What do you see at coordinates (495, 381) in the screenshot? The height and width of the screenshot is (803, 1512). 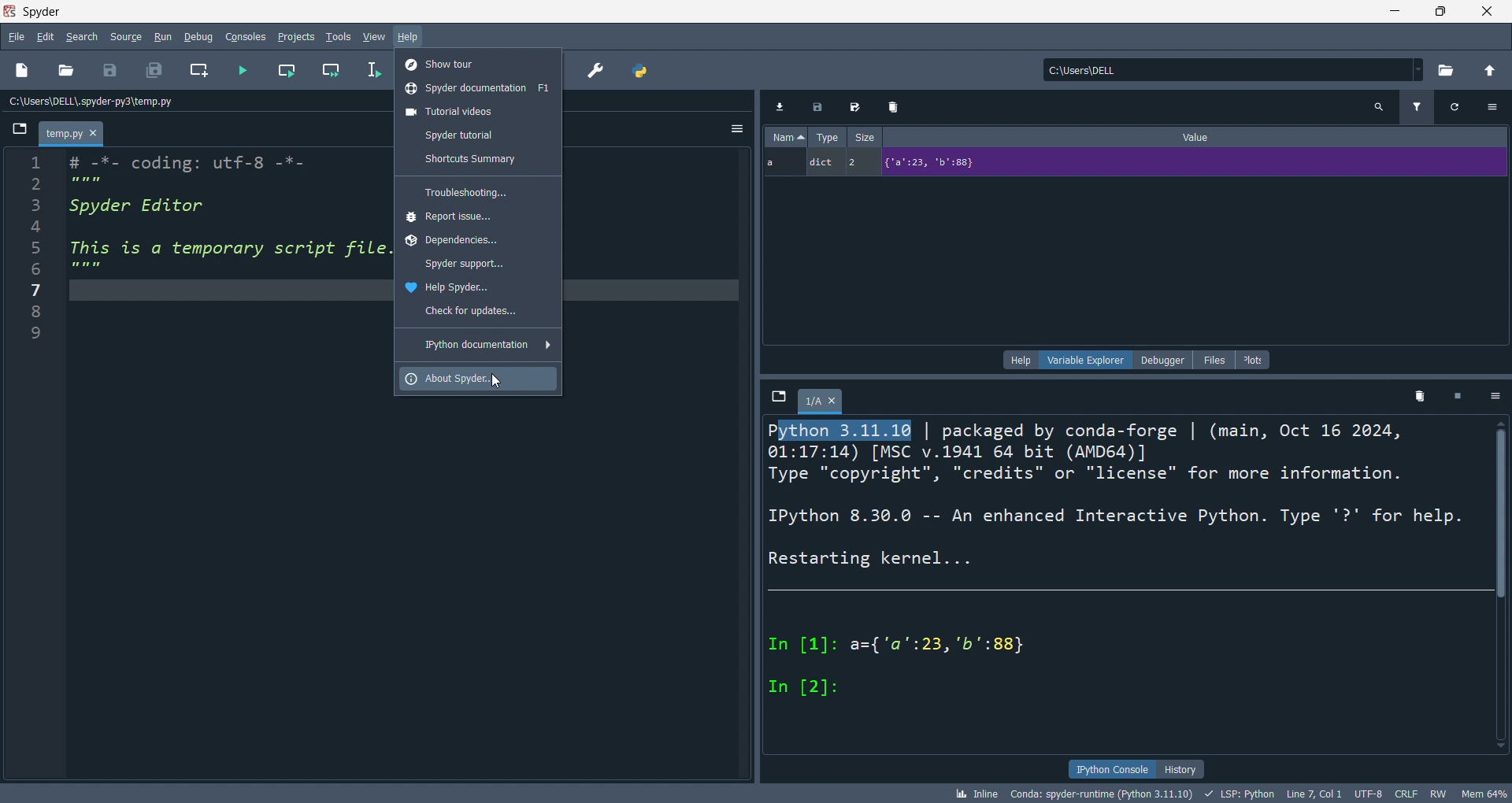 I see `cursor` at bounding box center [495, 381].